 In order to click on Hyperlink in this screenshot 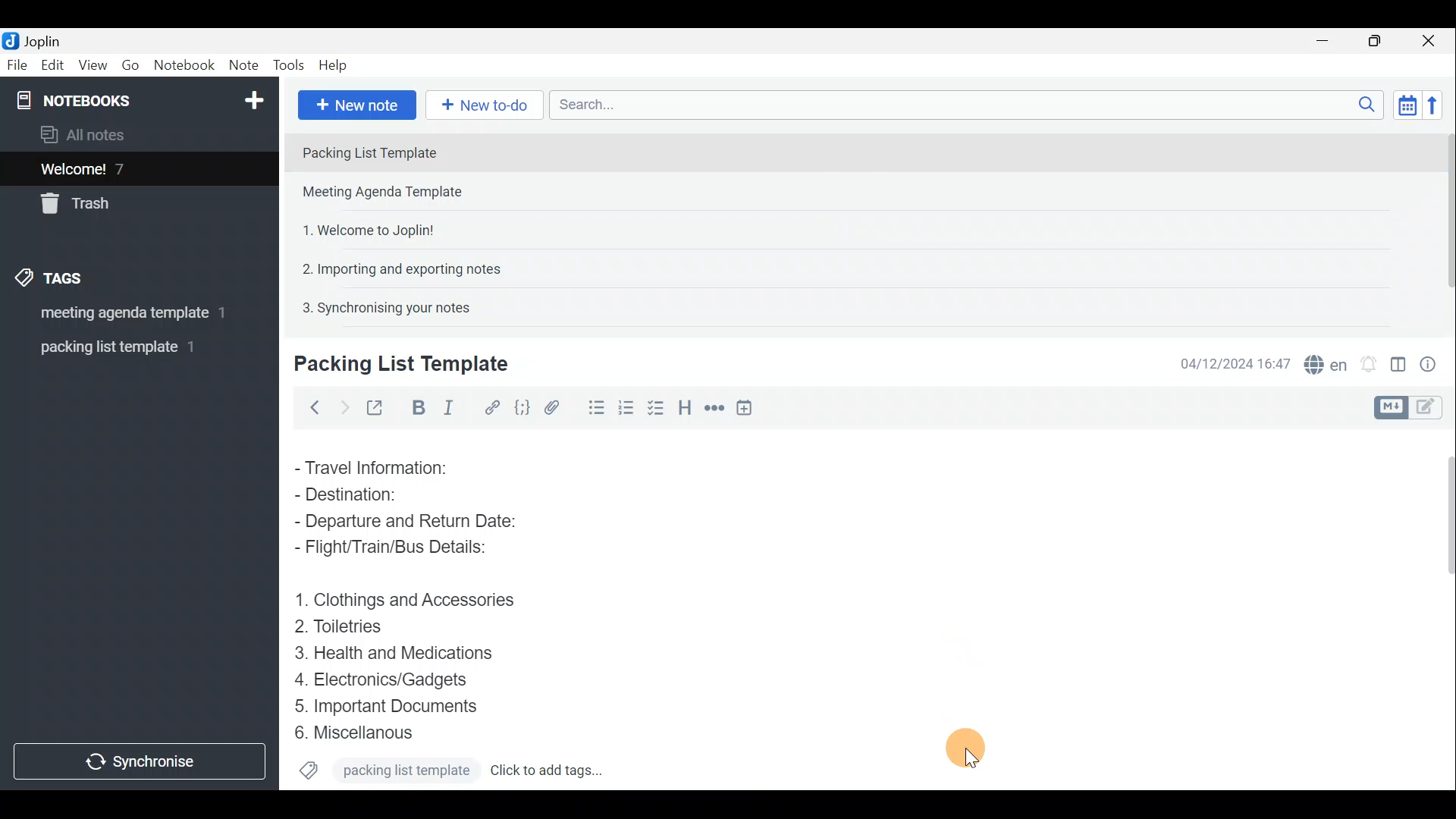, I will do `click(489, 406)`.